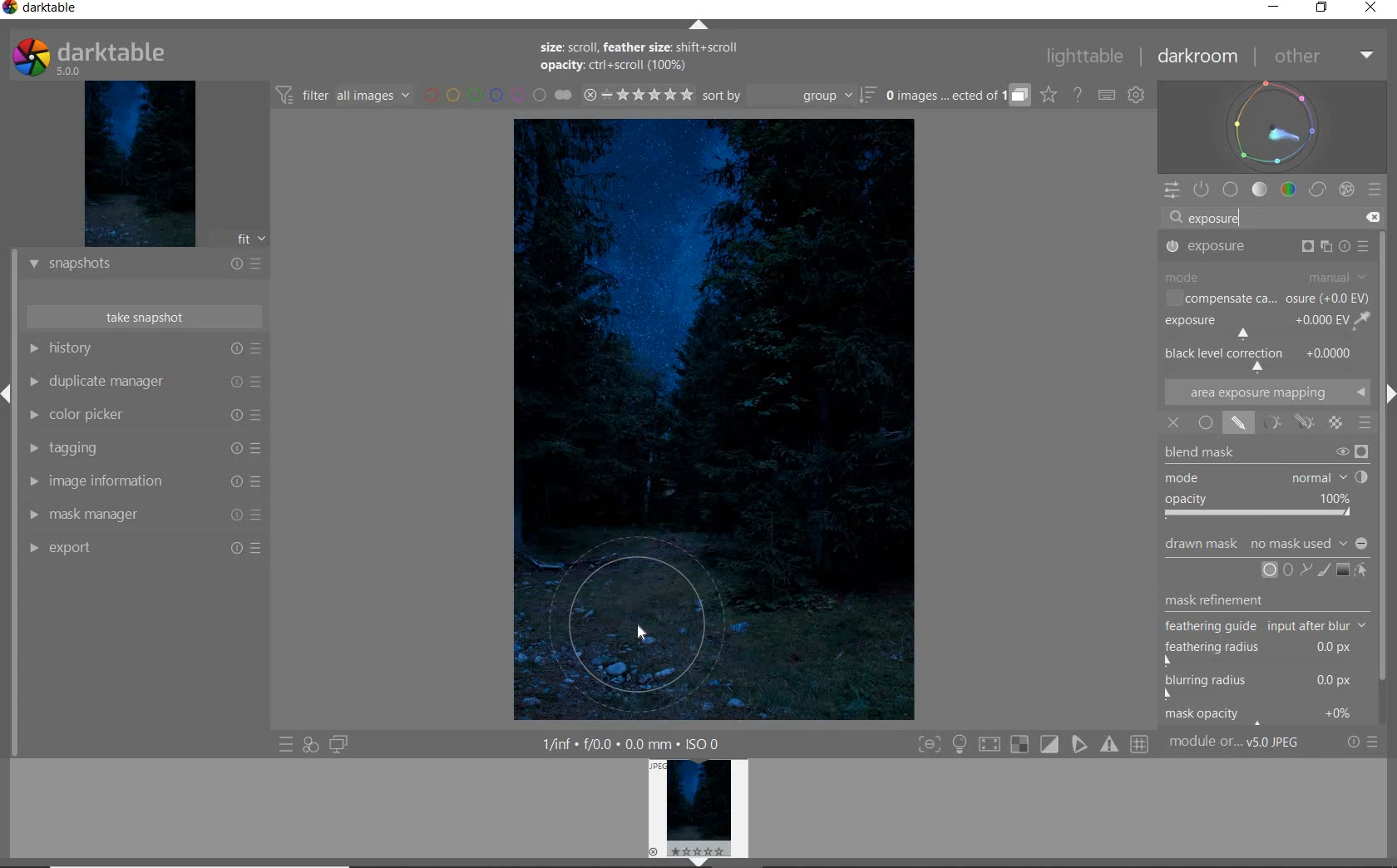  Describe the element at coordinates (699, 26) in the screenshot. I see `EXPAND/COLLAPSE` at that location.